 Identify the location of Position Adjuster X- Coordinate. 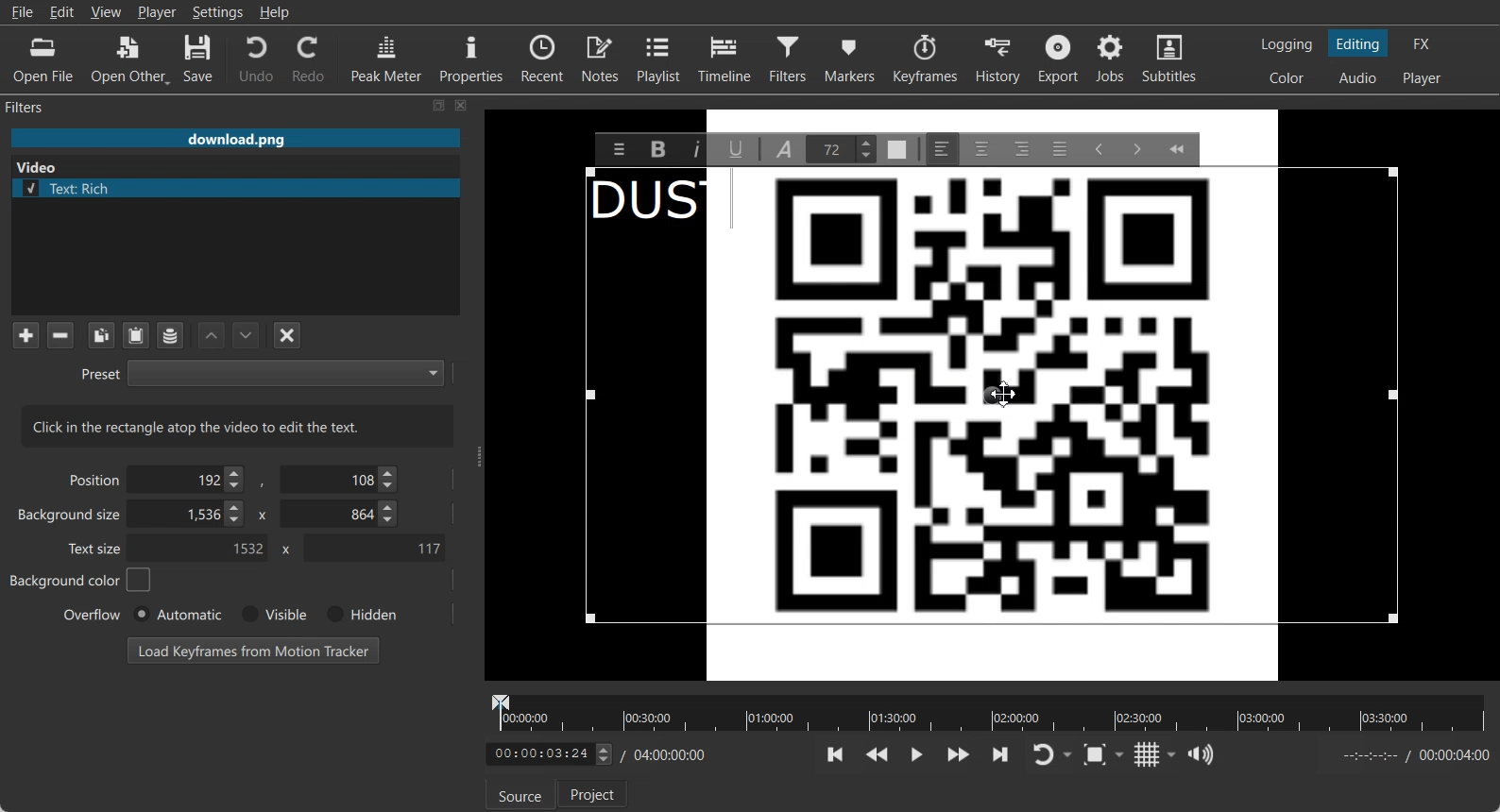
(191, 480).